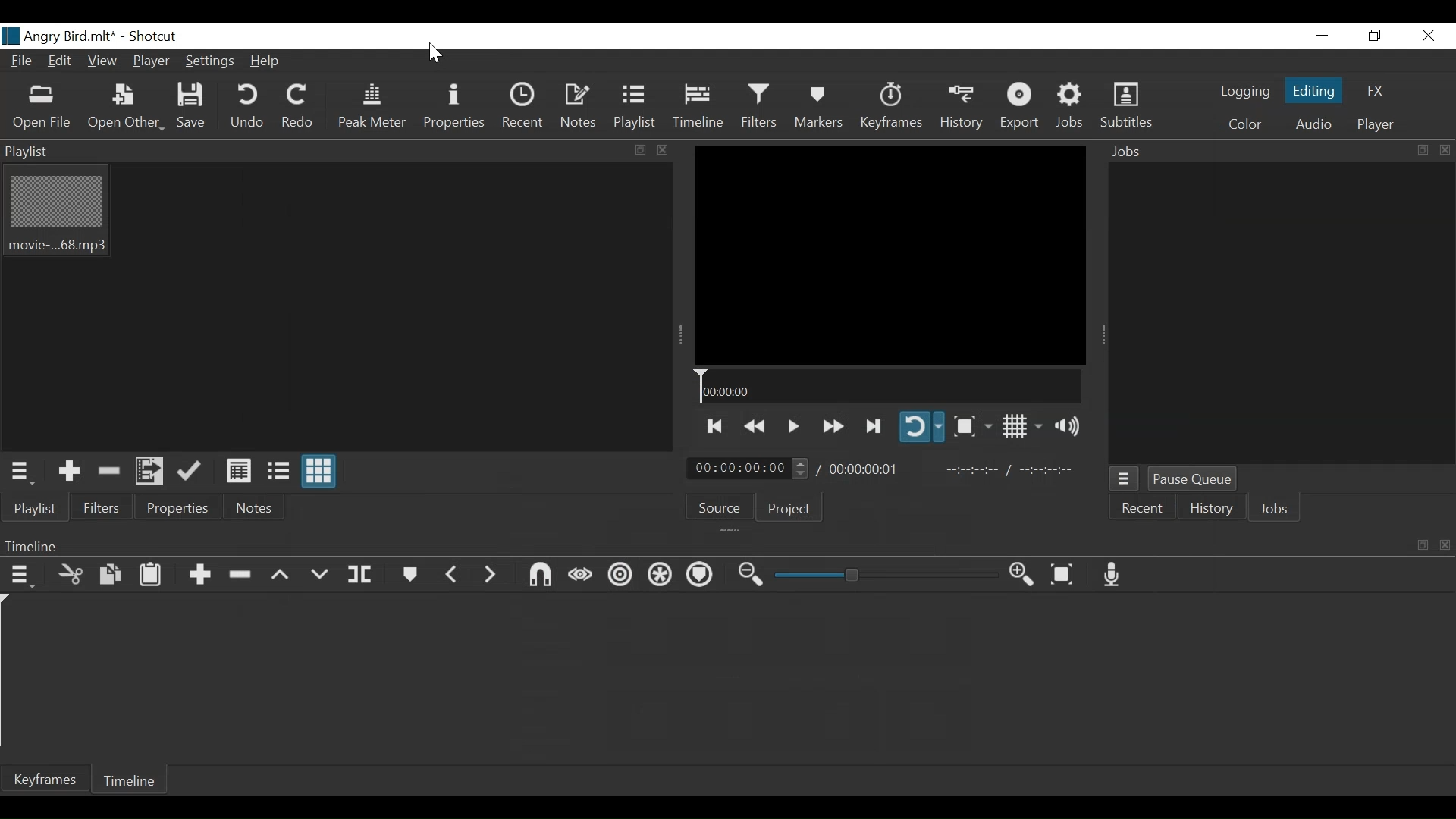 Image resolution: width=1456 pixels, height=819 pixels. Describe the element at coordinates (192, 472) in the screenshot. I see `Update` at that location.